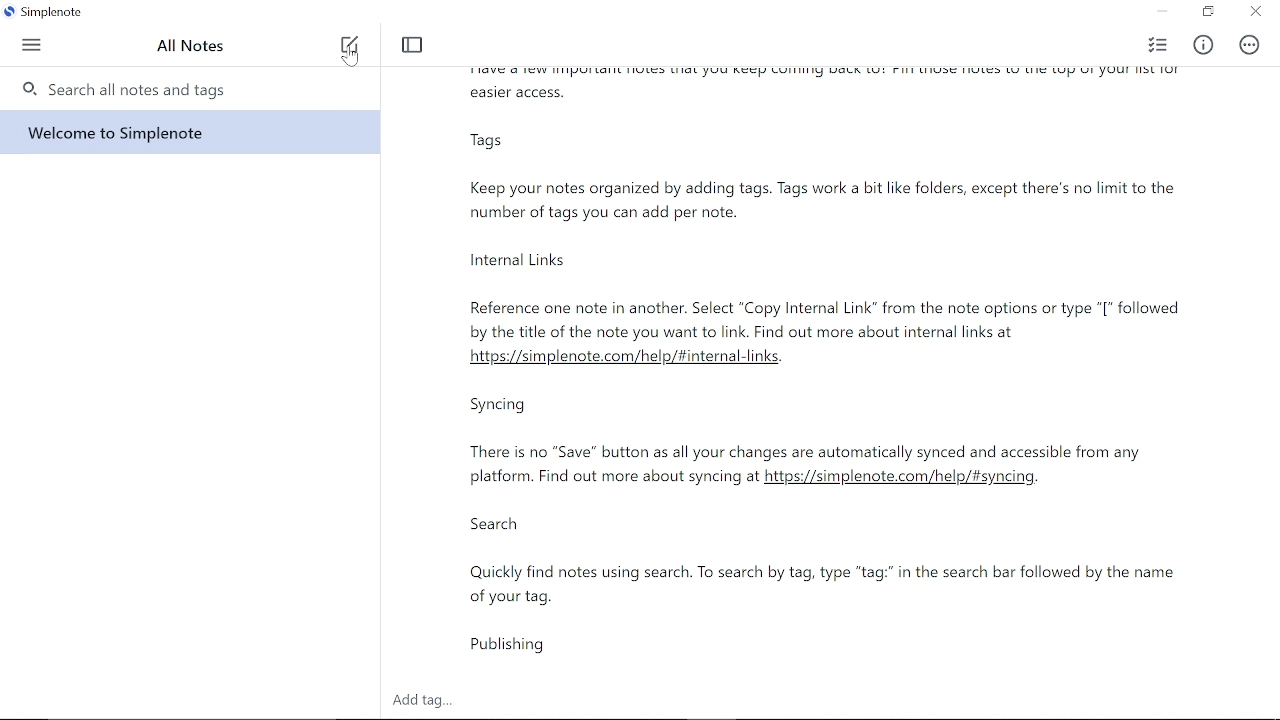  What do you see at coordinates (1256, 13) in the screenshot?
I see `Close` at bounding box center [1256, 13].